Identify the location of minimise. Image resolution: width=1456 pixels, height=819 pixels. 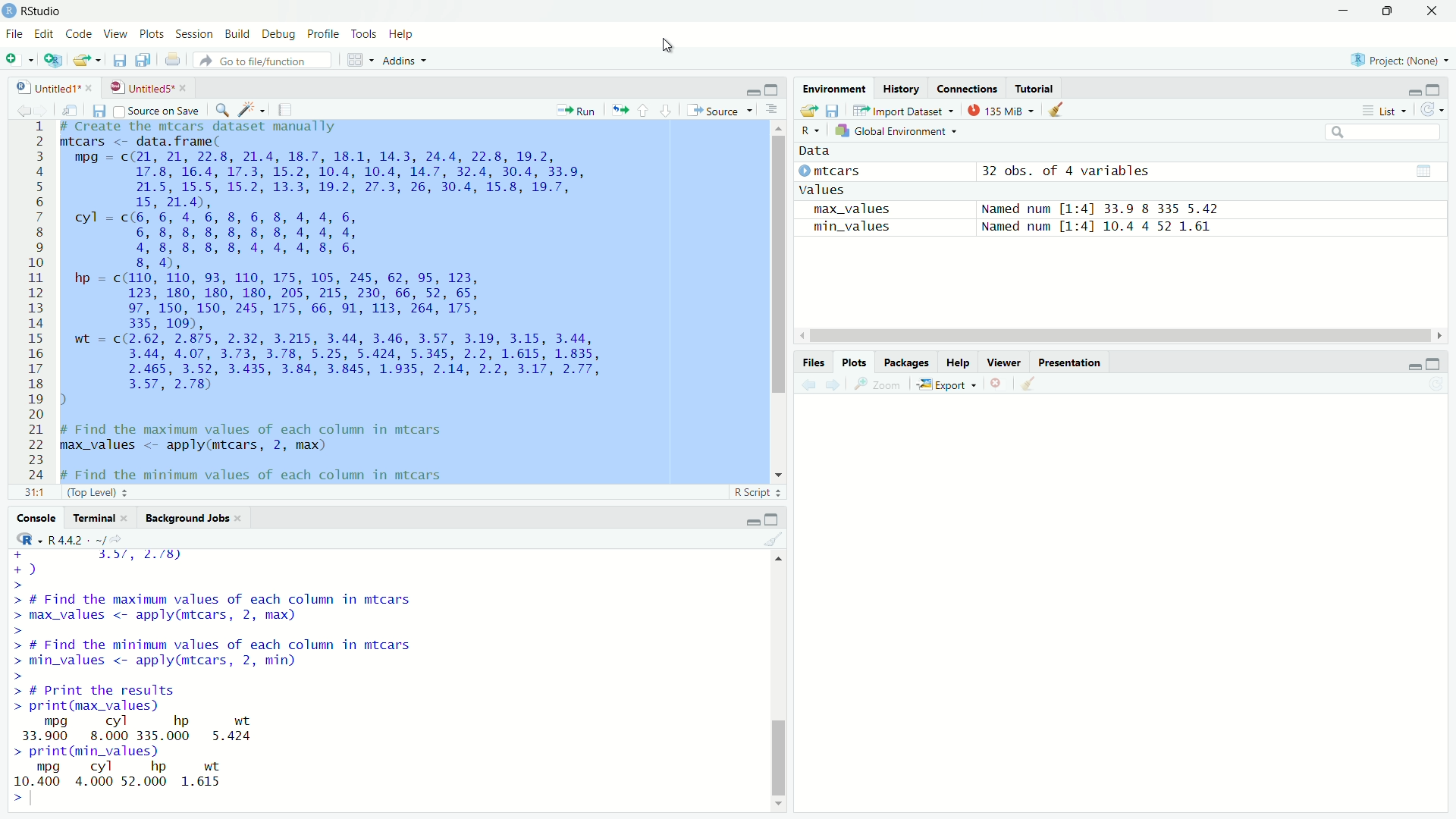
(1407, 365).